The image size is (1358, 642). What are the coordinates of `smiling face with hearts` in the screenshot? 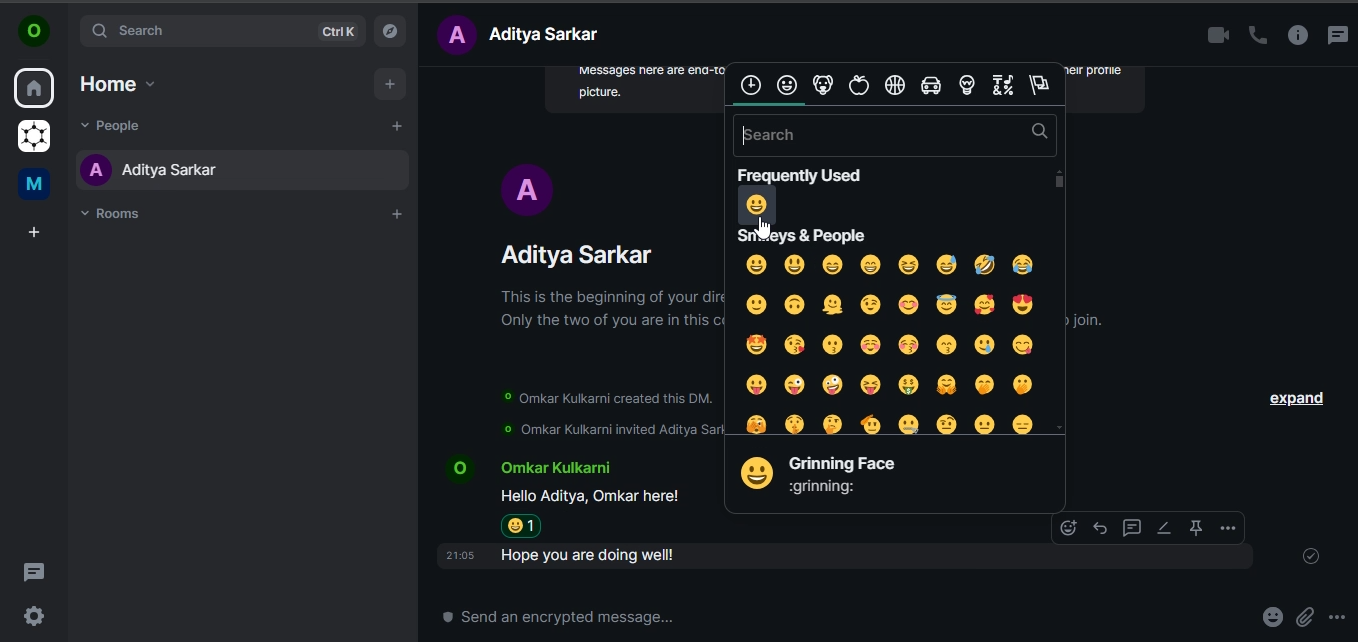 It's located at (983, 306).